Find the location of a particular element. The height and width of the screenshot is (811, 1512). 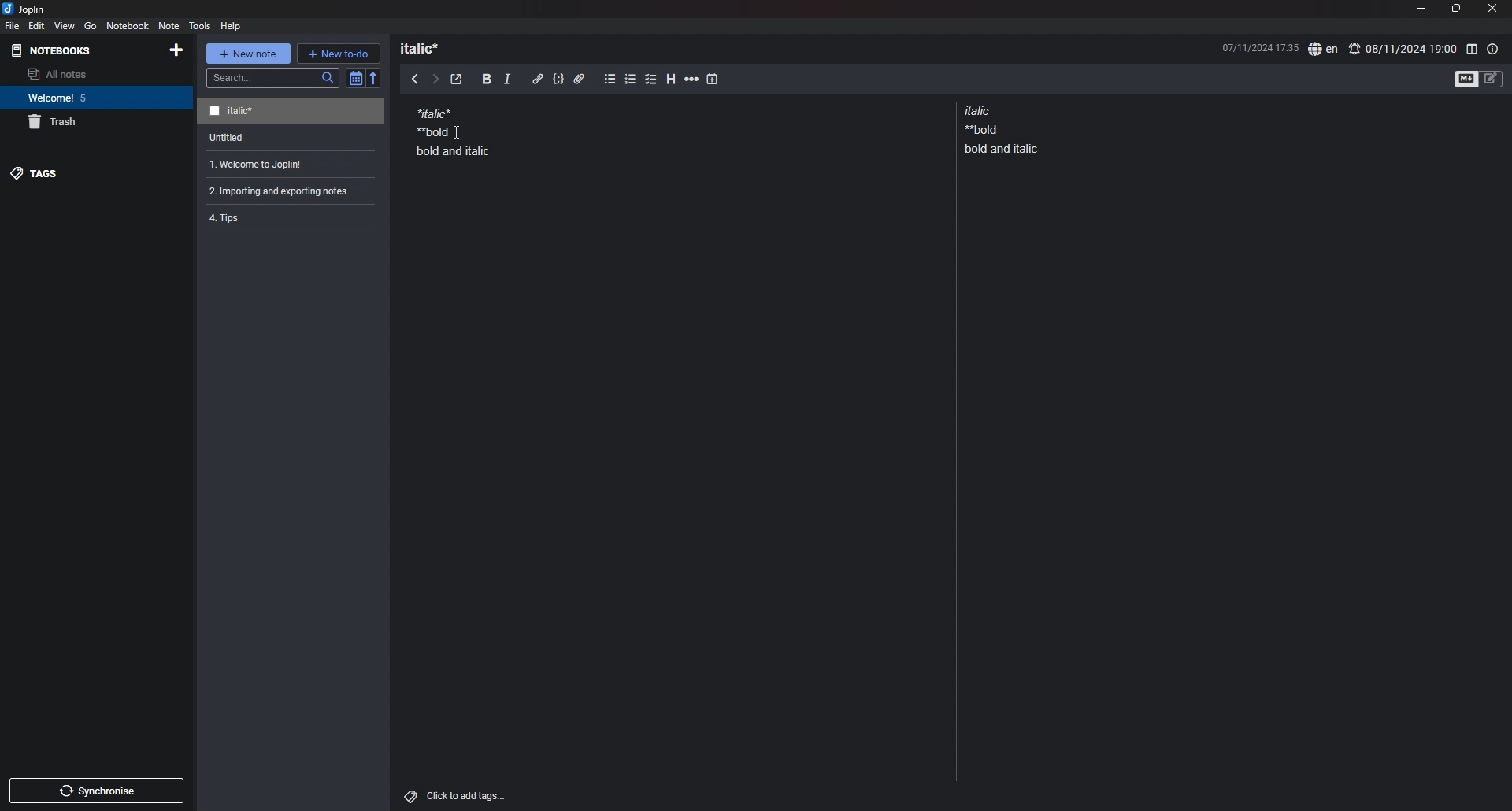

date and time is located at coordinates (1259, 46).